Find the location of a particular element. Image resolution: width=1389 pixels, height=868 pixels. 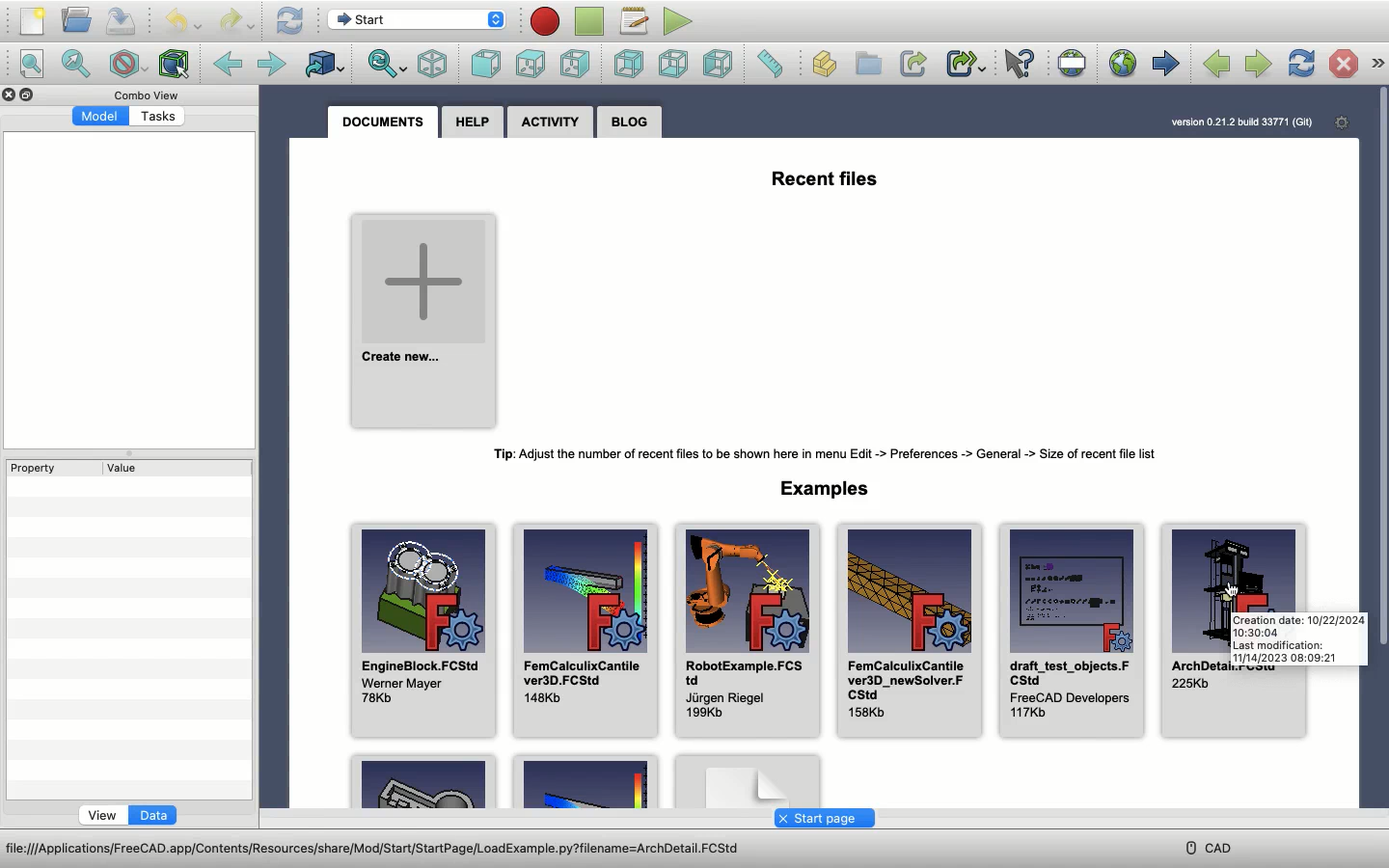

Blog is located at coordinates (629, 122).